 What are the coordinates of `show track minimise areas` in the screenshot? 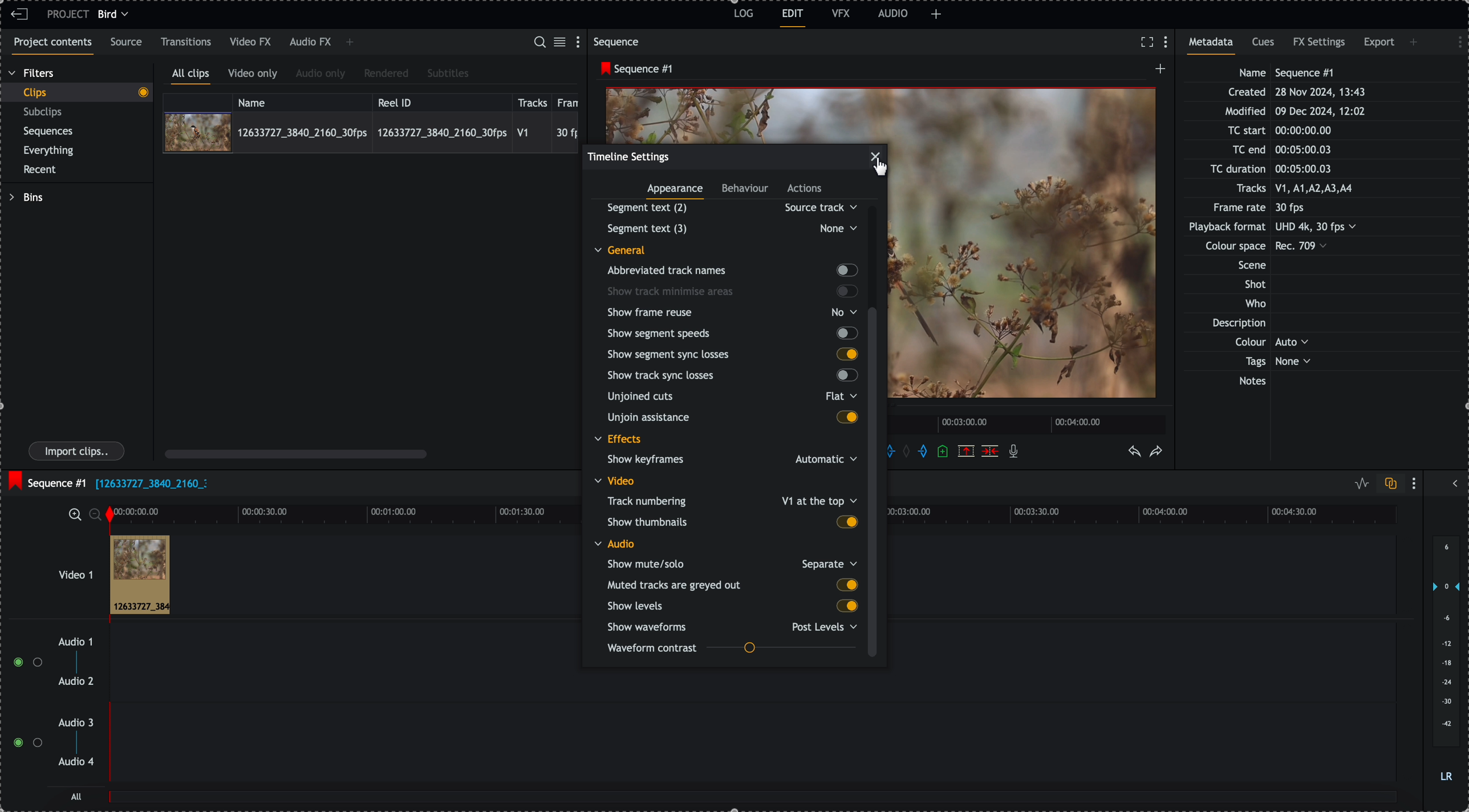 It's located at (733, 291).